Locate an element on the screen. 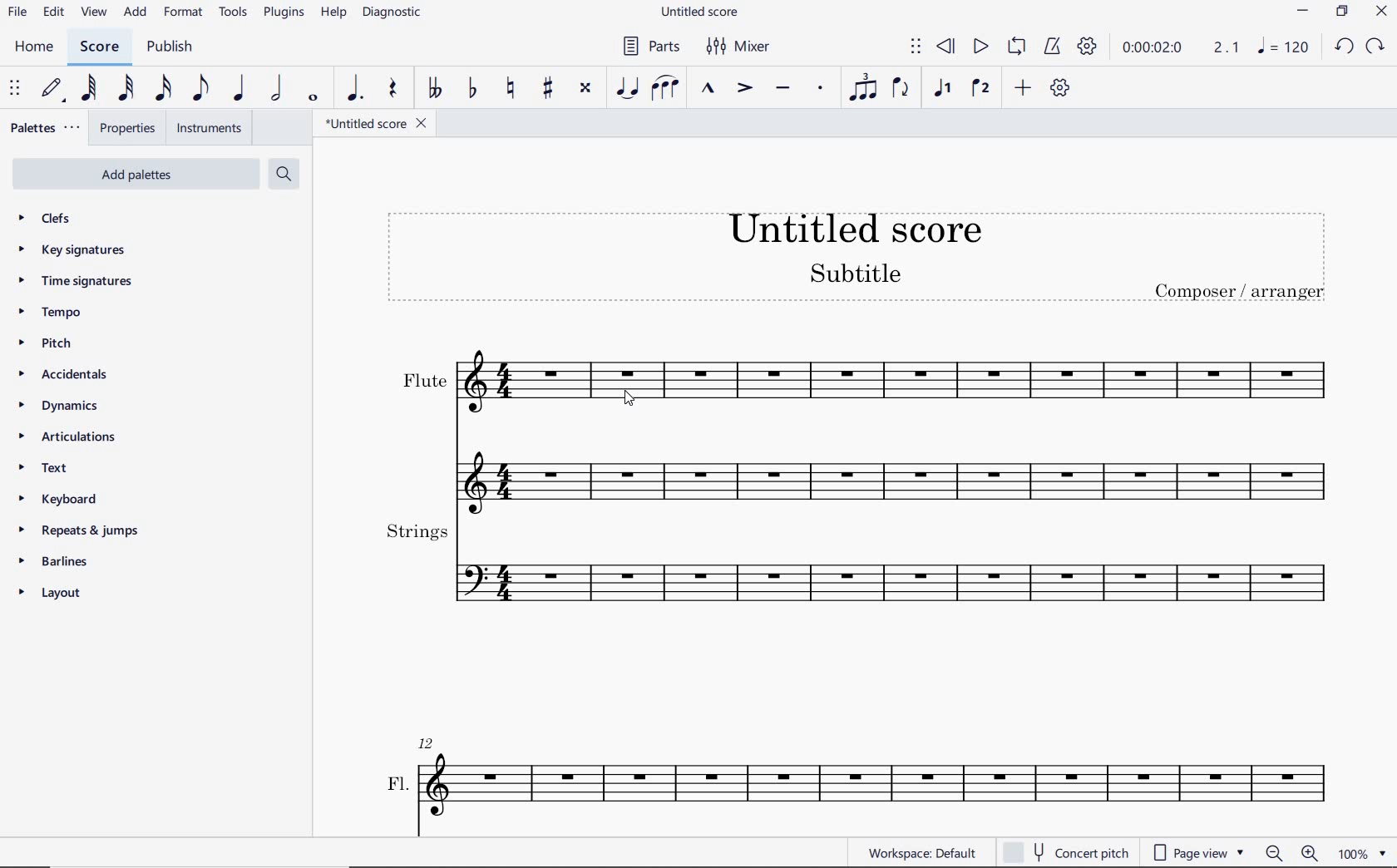  page view is located at coordinates (1200, 851).